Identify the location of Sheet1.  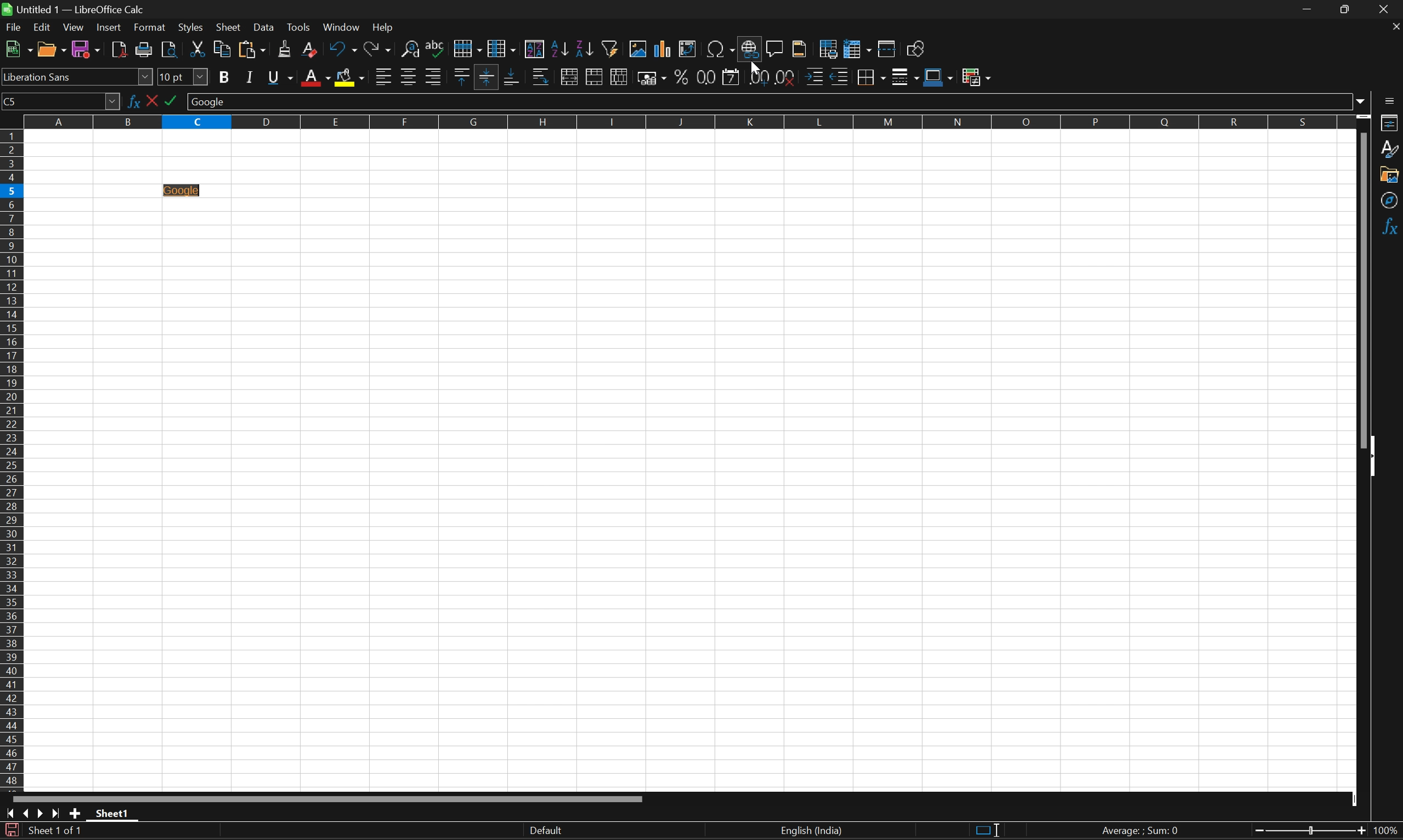
(113, 813).